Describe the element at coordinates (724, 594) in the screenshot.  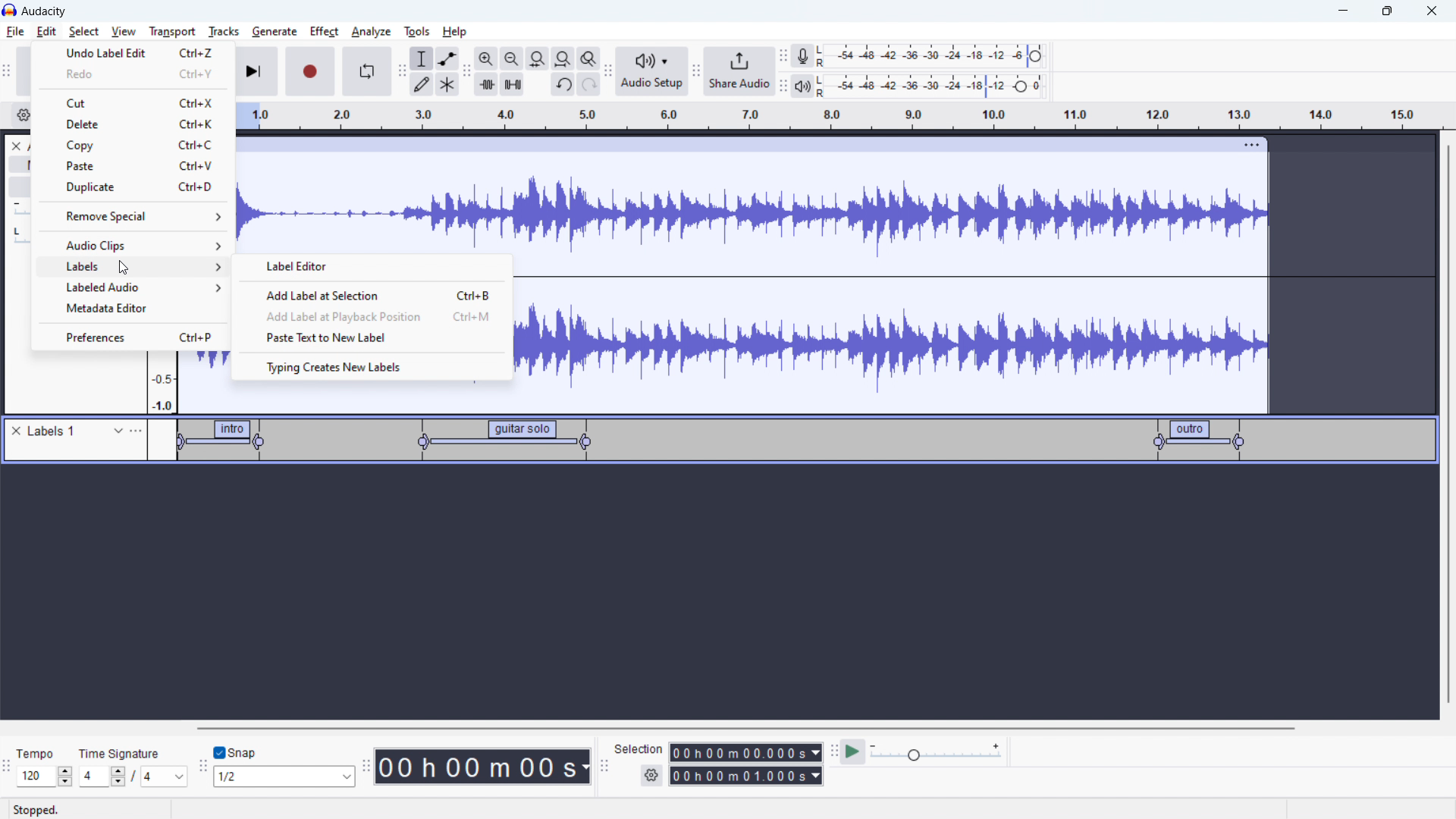
I see `timeline` at that location.